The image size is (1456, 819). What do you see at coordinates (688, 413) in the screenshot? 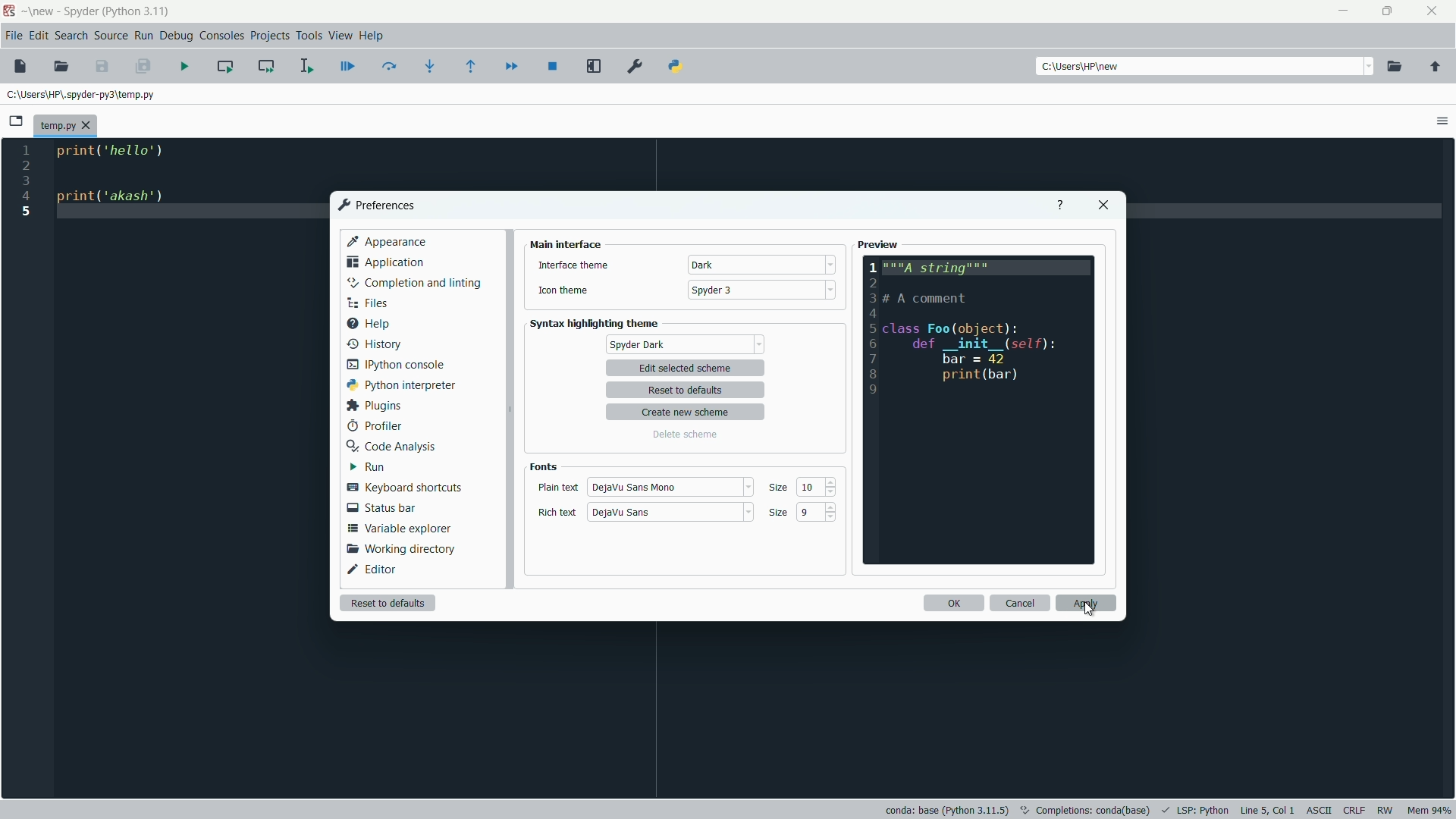
I see `create new scheme` at bounding box center [688, 413].